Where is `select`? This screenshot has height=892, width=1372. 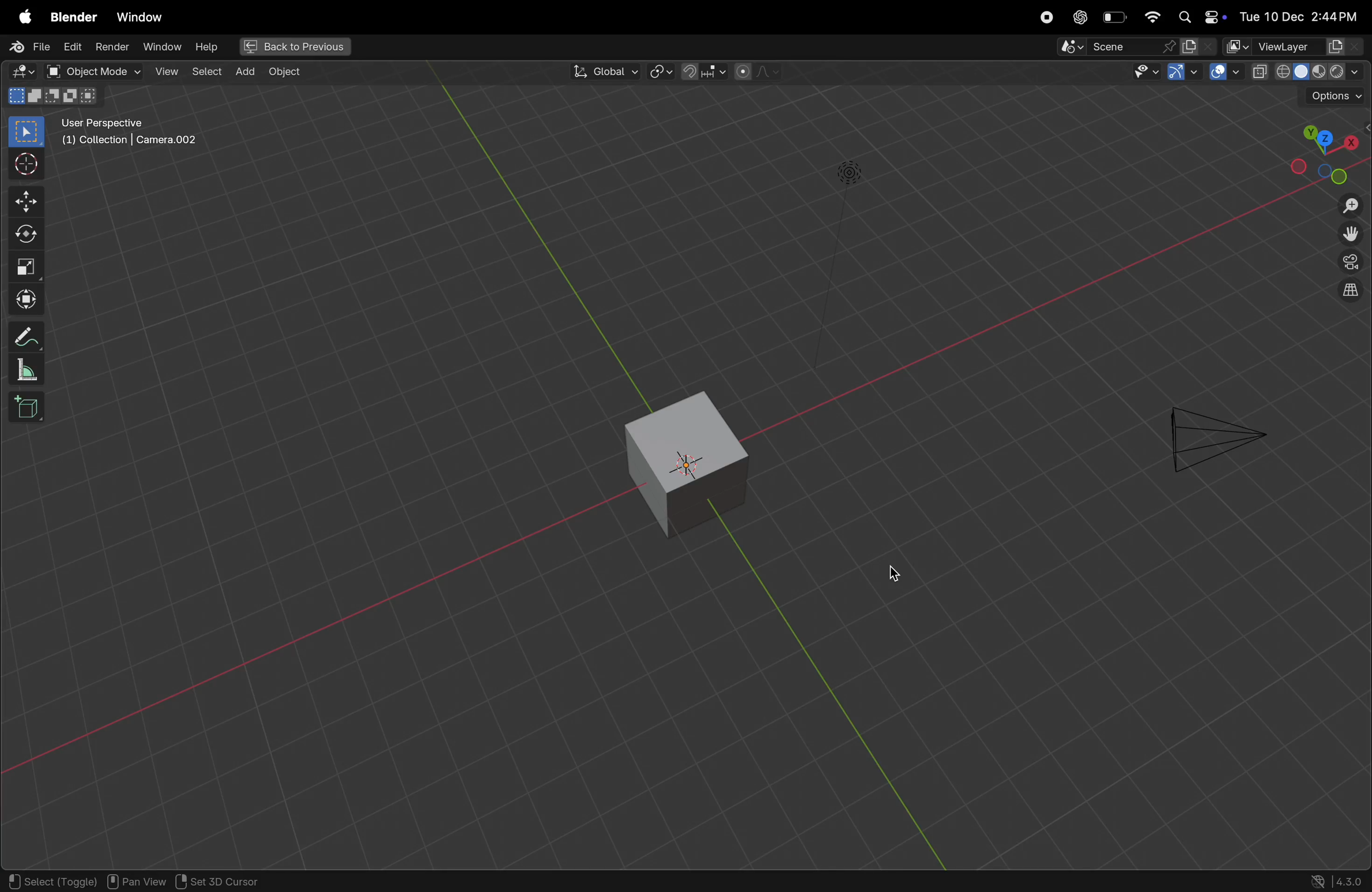
select is located at coordinates (207, 74).